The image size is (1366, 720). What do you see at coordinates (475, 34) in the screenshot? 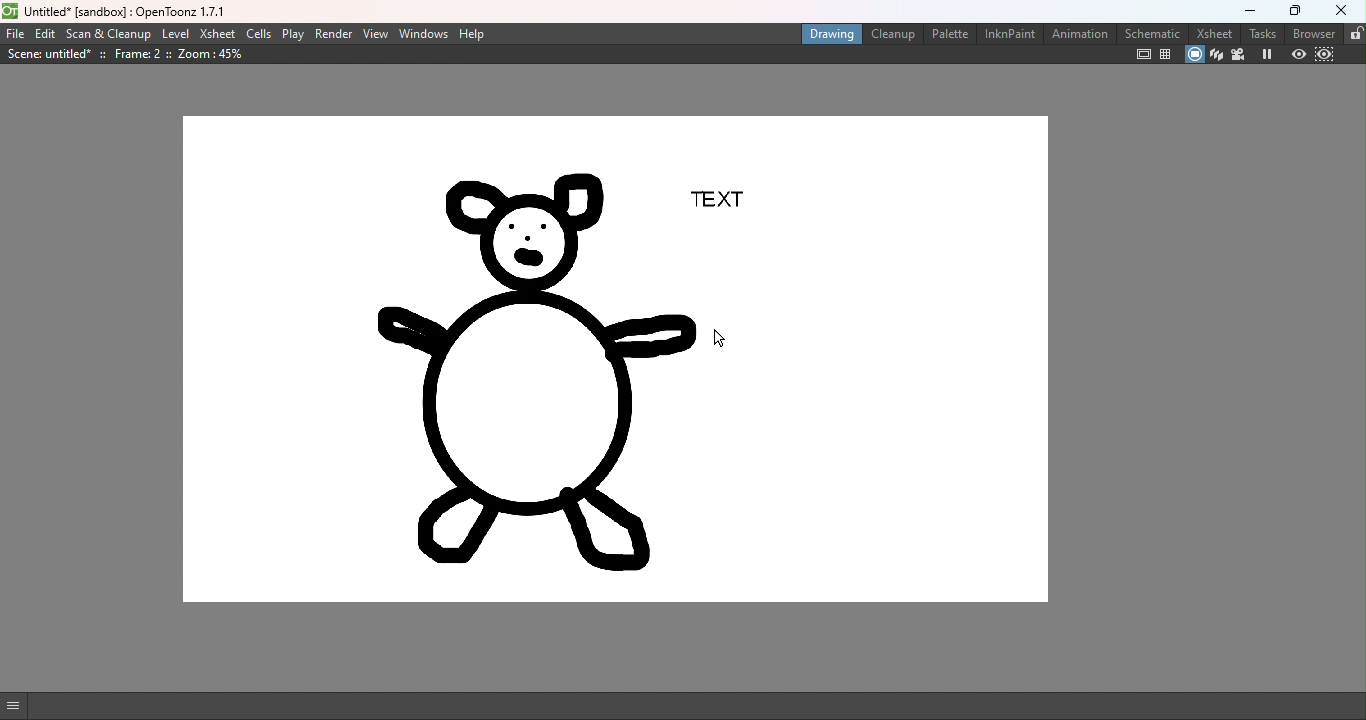
I see `Help` at bounding box center [475, 34].